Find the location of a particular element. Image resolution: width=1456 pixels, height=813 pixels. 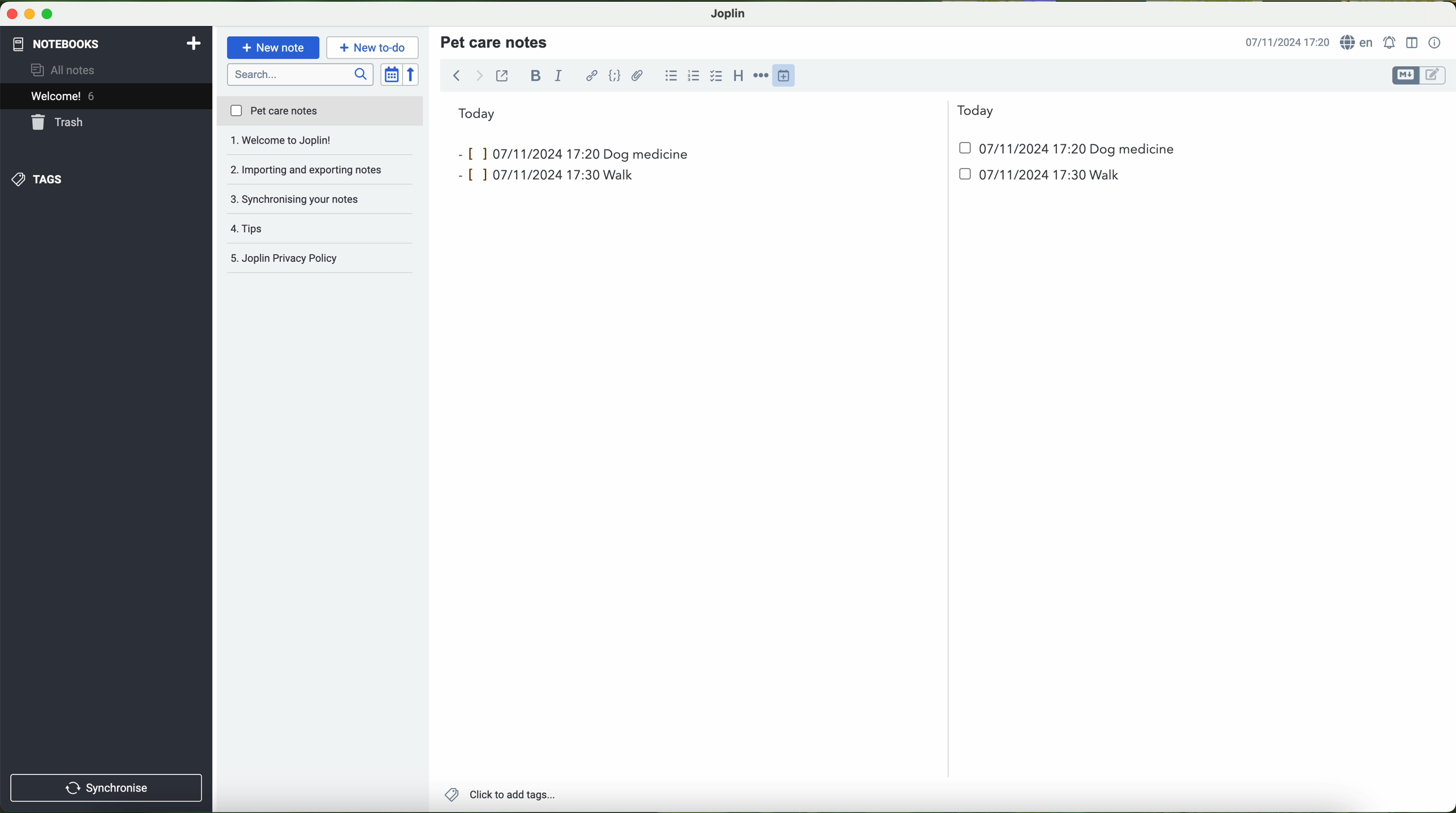

search bar is located at coordinates (302, 73).